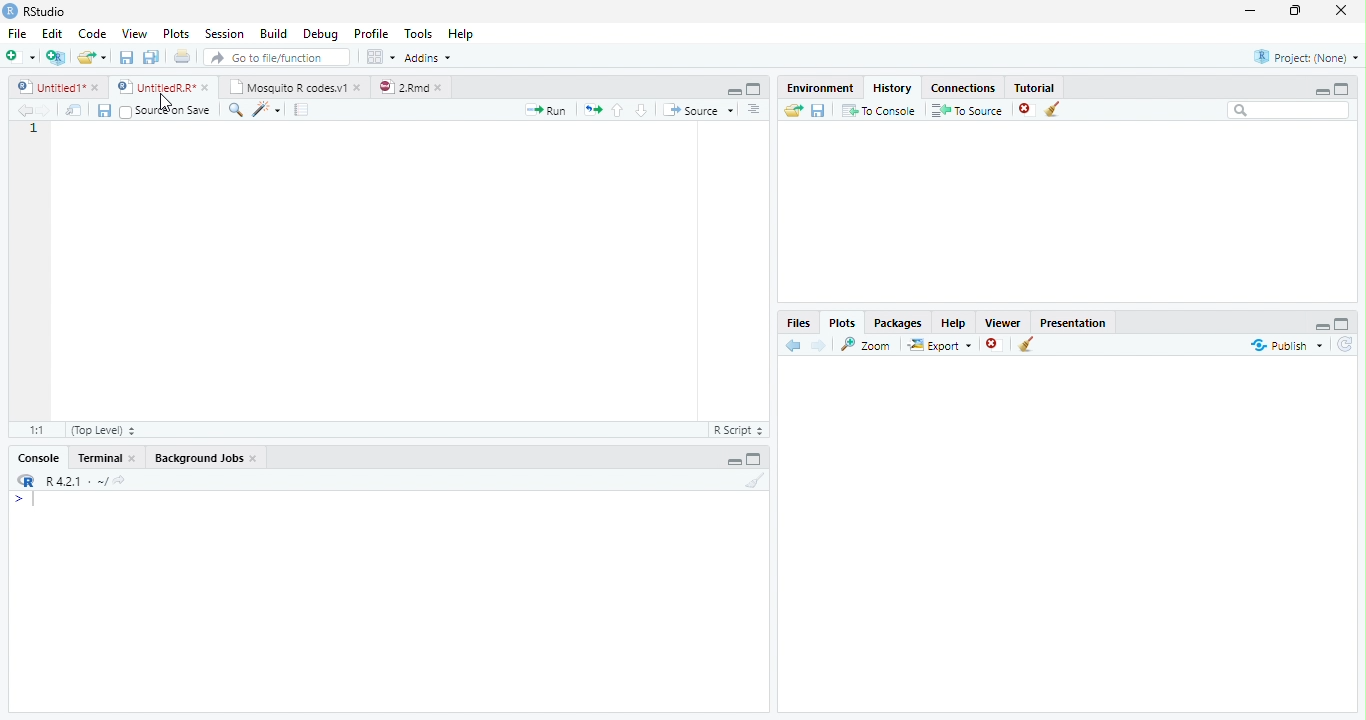 Image resolution: width=1366 pixels, height=720 pixels. Describe the element at coordinates (967, 110) in the screenshot. I see `To Source` at that location.